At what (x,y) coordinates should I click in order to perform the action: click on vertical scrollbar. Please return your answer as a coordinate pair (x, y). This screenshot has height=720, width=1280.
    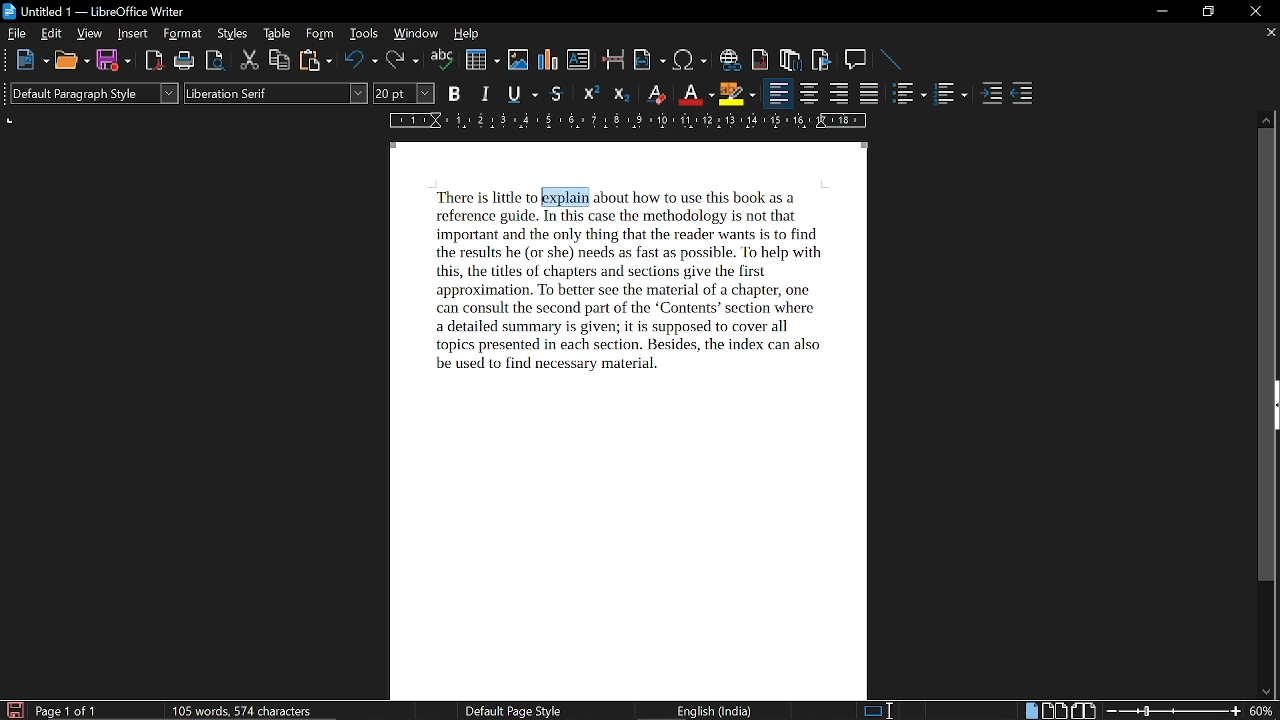
    Looking at the image, I should click on (1270, 357).